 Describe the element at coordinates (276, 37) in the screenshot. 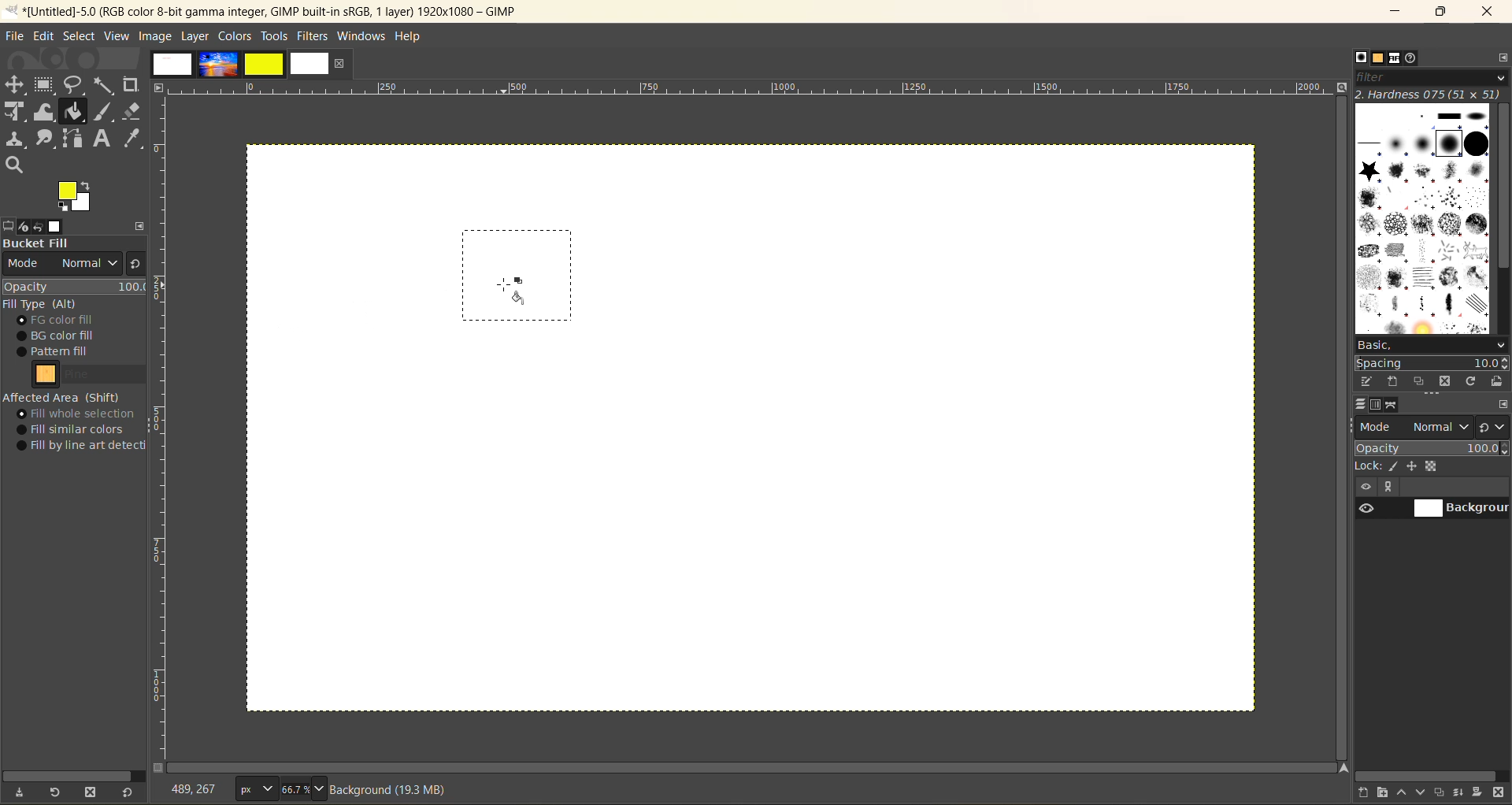

I see `tools` at that location.